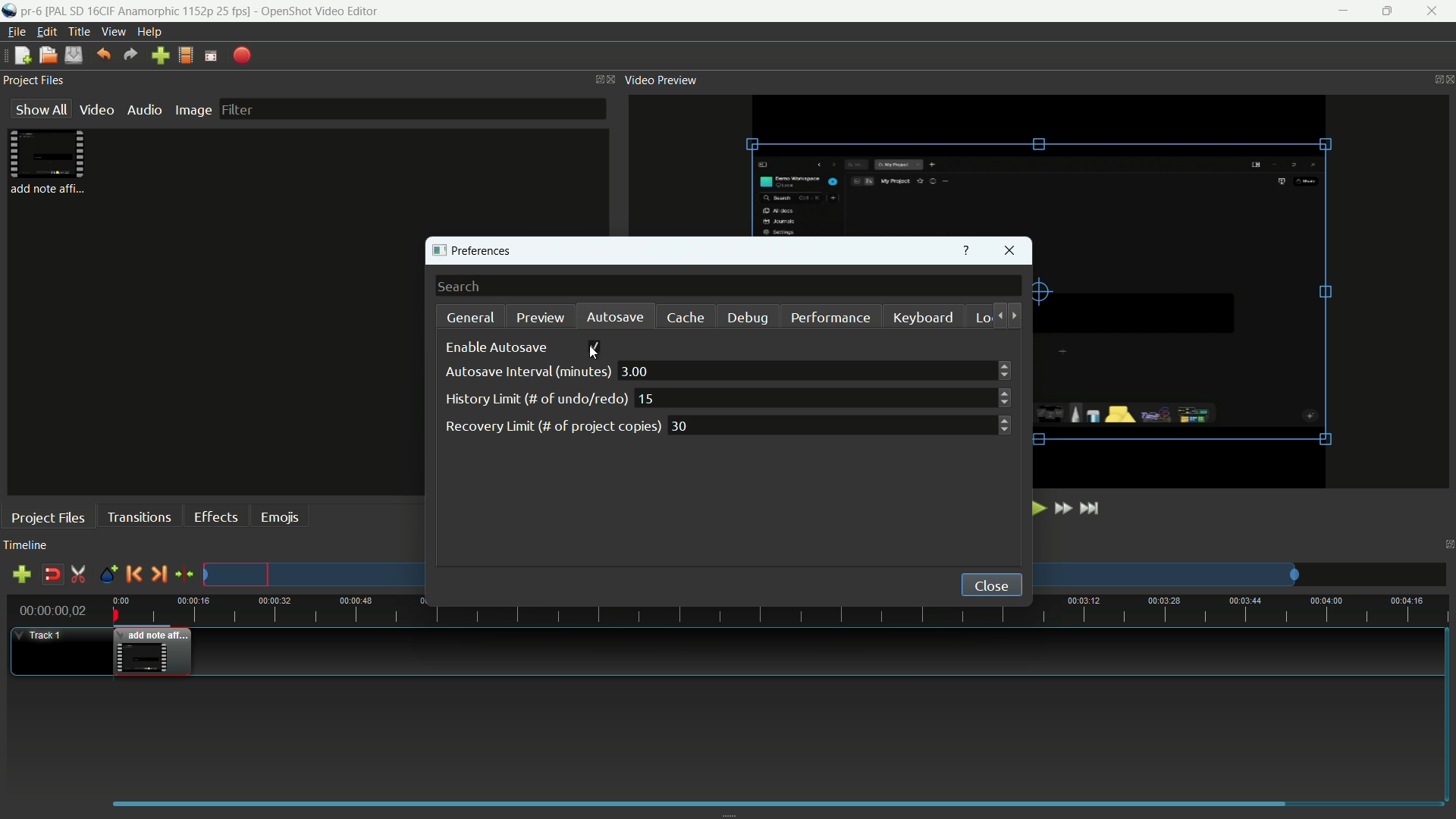  Describe the element at coordinates (815, 370) in the screenshot. I see `3.00` at that location.